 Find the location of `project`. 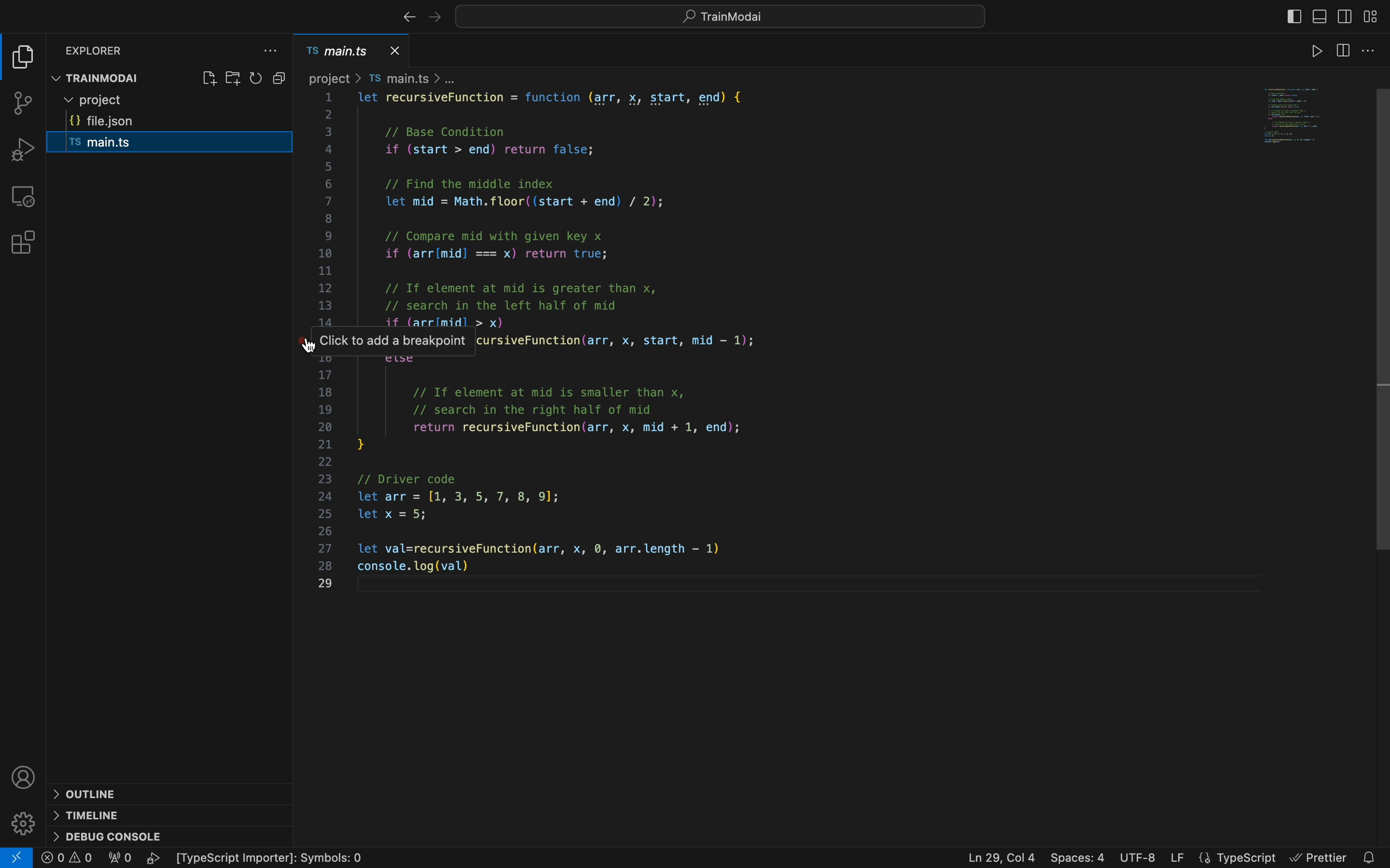

project is located at coordinates (175, 102).